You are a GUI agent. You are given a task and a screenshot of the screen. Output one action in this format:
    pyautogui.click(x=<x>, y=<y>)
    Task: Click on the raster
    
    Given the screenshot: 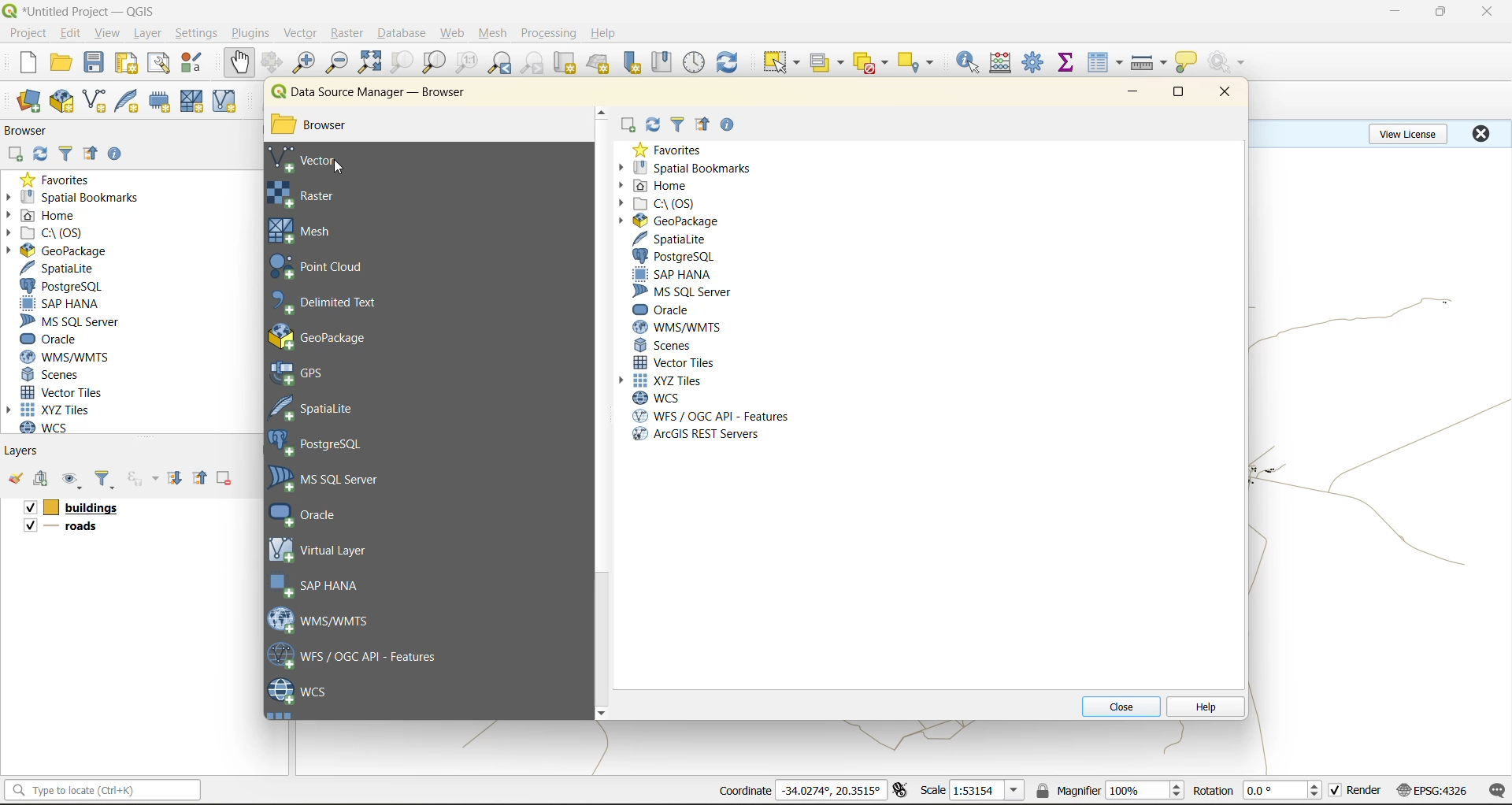 What is the action you would take?
    pyautogui.click(x=348, y=32)
    